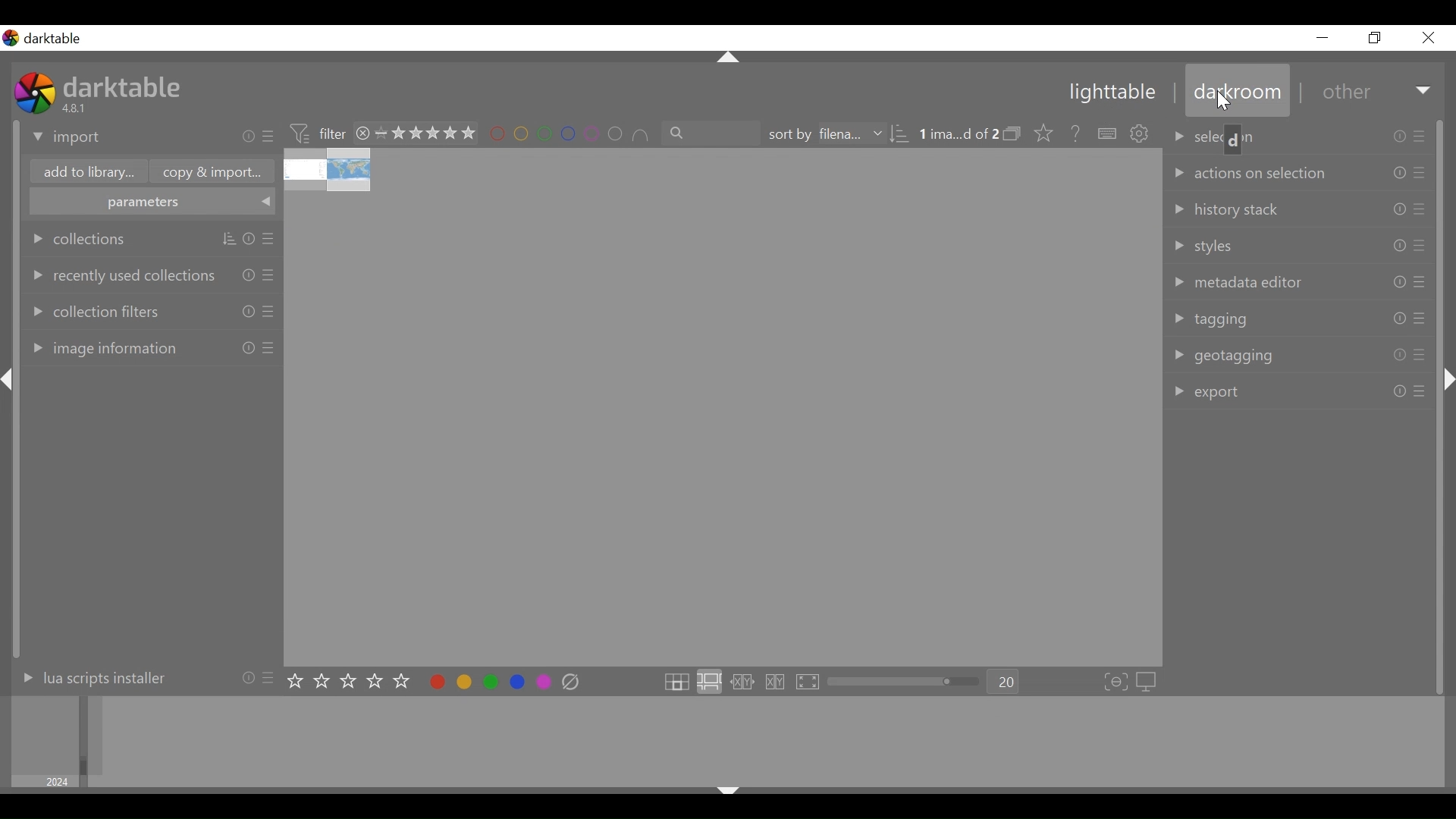 This screenshot has height=819, width=1456. Describe the element at coordinates (1420, 391) in the screenshot. I see `` at that location.